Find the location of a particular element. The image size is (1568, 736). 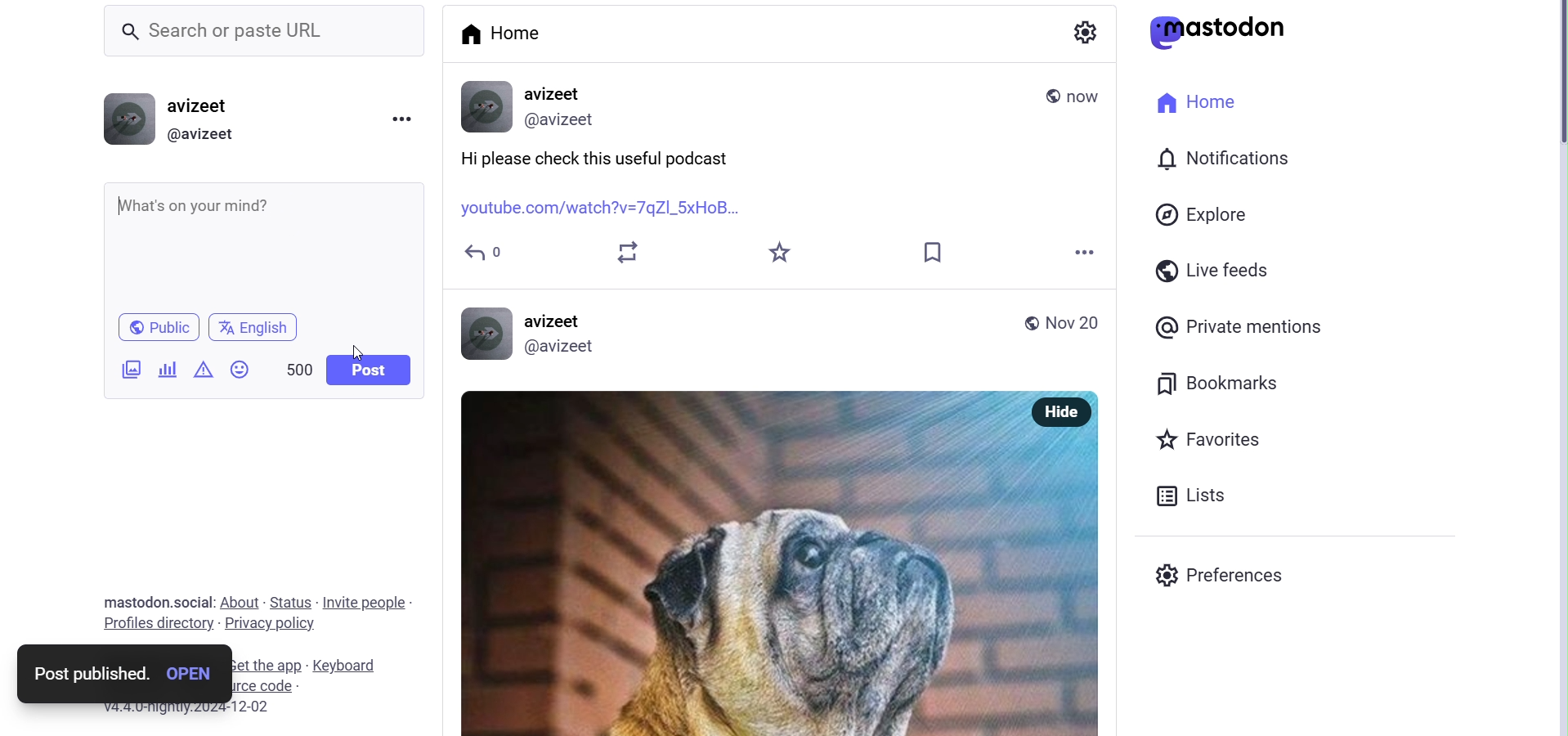

boost is located at coordinates (630, 253).